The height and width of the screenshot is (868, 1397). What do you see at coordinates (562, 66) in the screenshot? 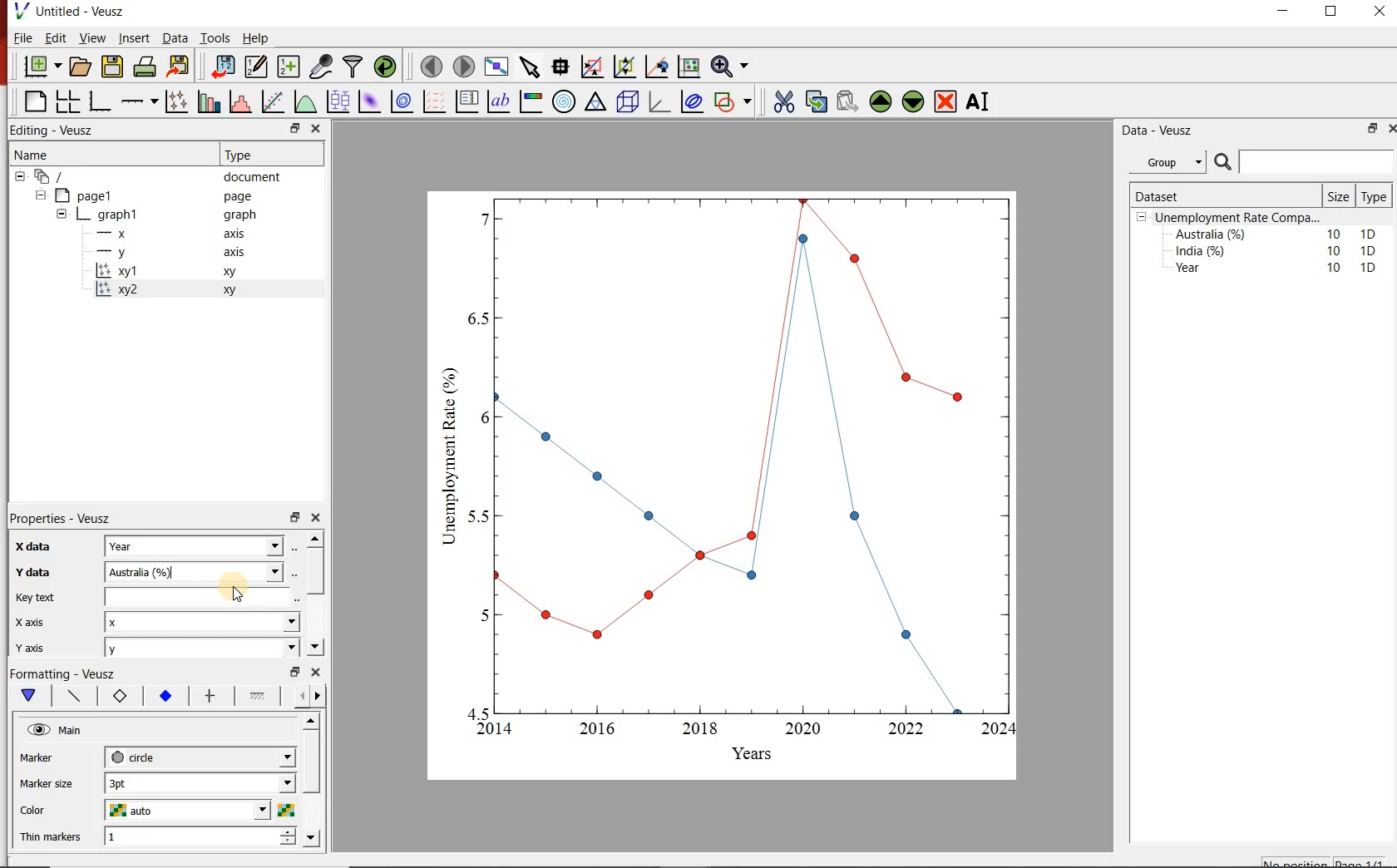
I see `read the data points` at bounding box center [562, 66].